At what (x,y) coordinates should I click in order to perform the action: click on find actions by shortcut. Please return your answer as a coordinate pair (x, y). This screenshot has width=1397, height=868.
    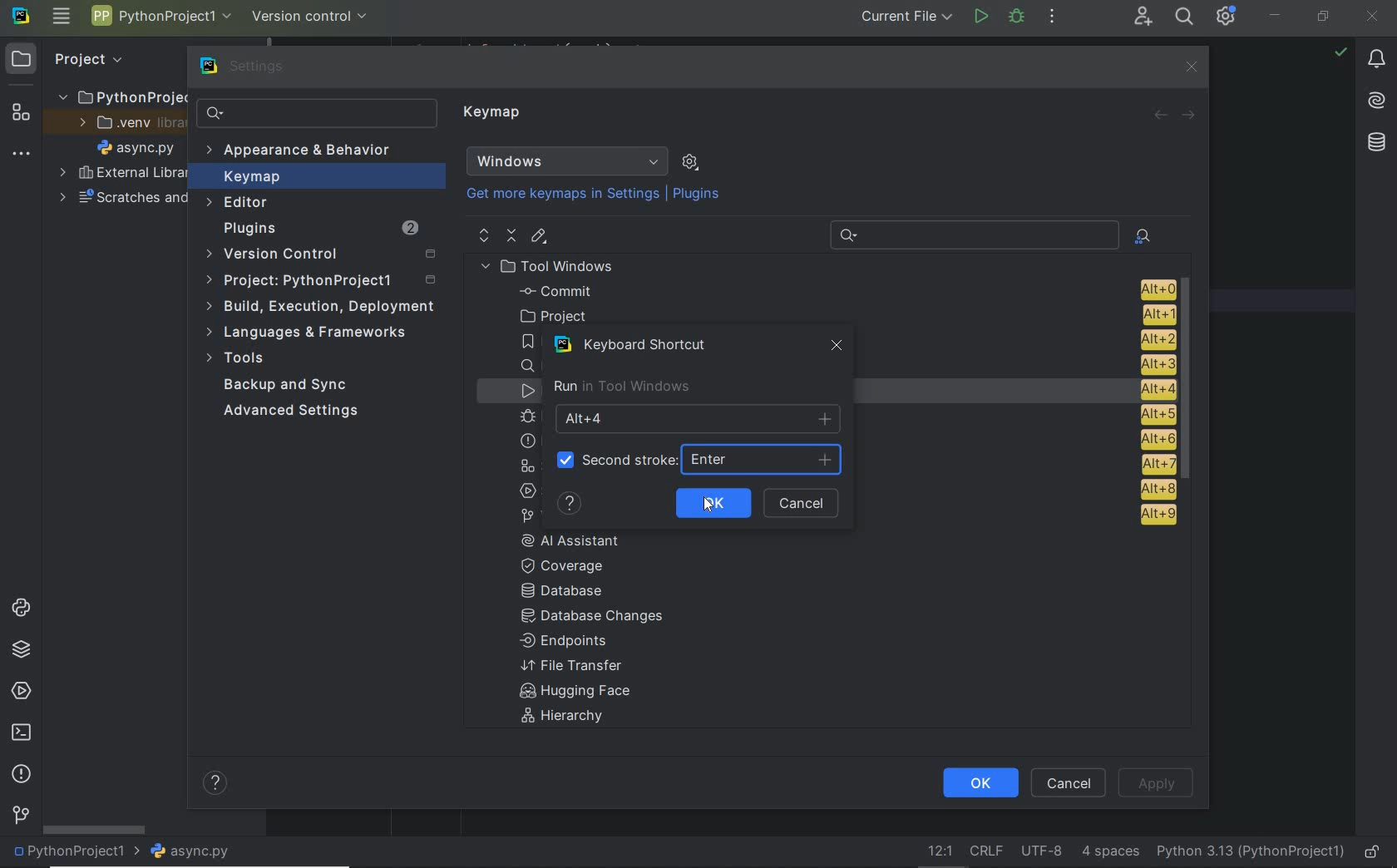
    Looking at the image, I should click on (1143, 236).